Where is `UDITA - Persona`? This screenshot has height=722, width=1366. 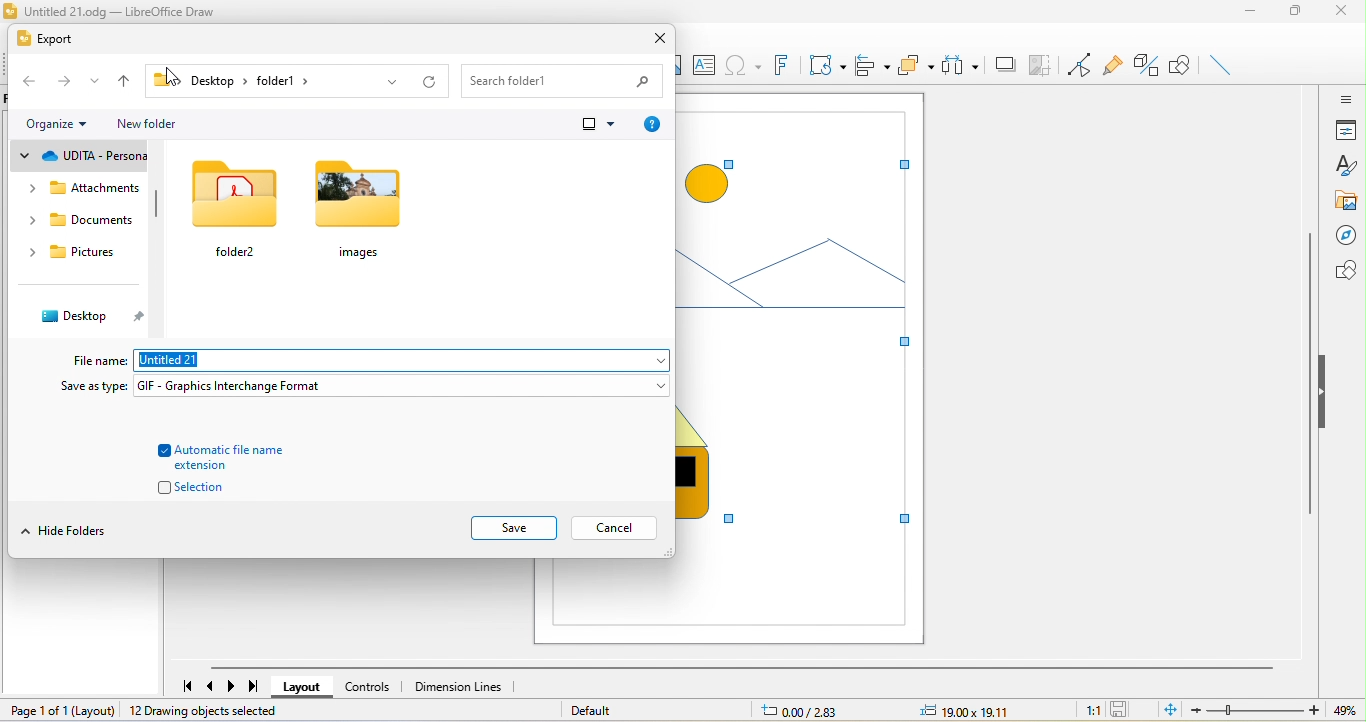 UDITA - Persona is located at coordinates (83, 157).